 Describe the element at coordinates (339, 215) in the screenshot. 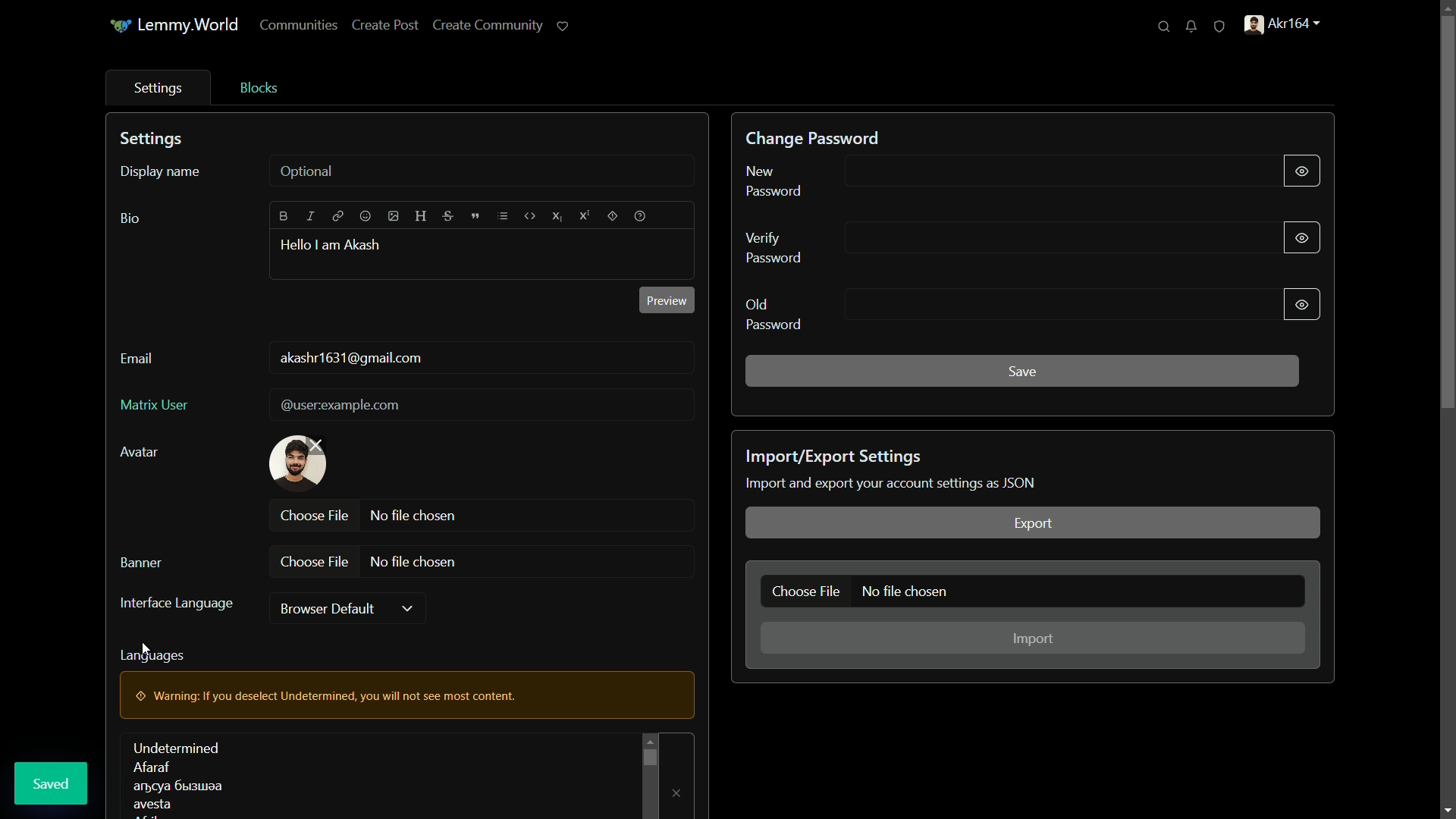

I see `link` at that location.